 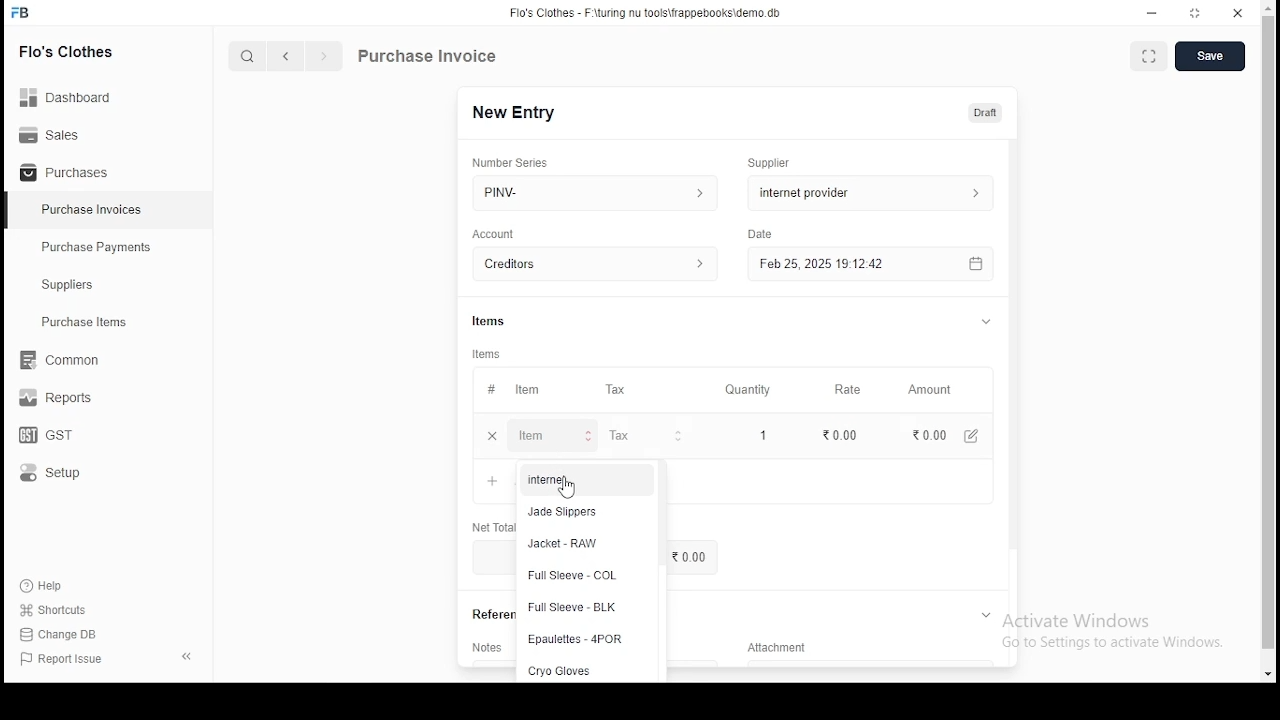 What do you see at coordinates (534, 391) in the screenshot?
I see `item` at bounding box center [534, 391].